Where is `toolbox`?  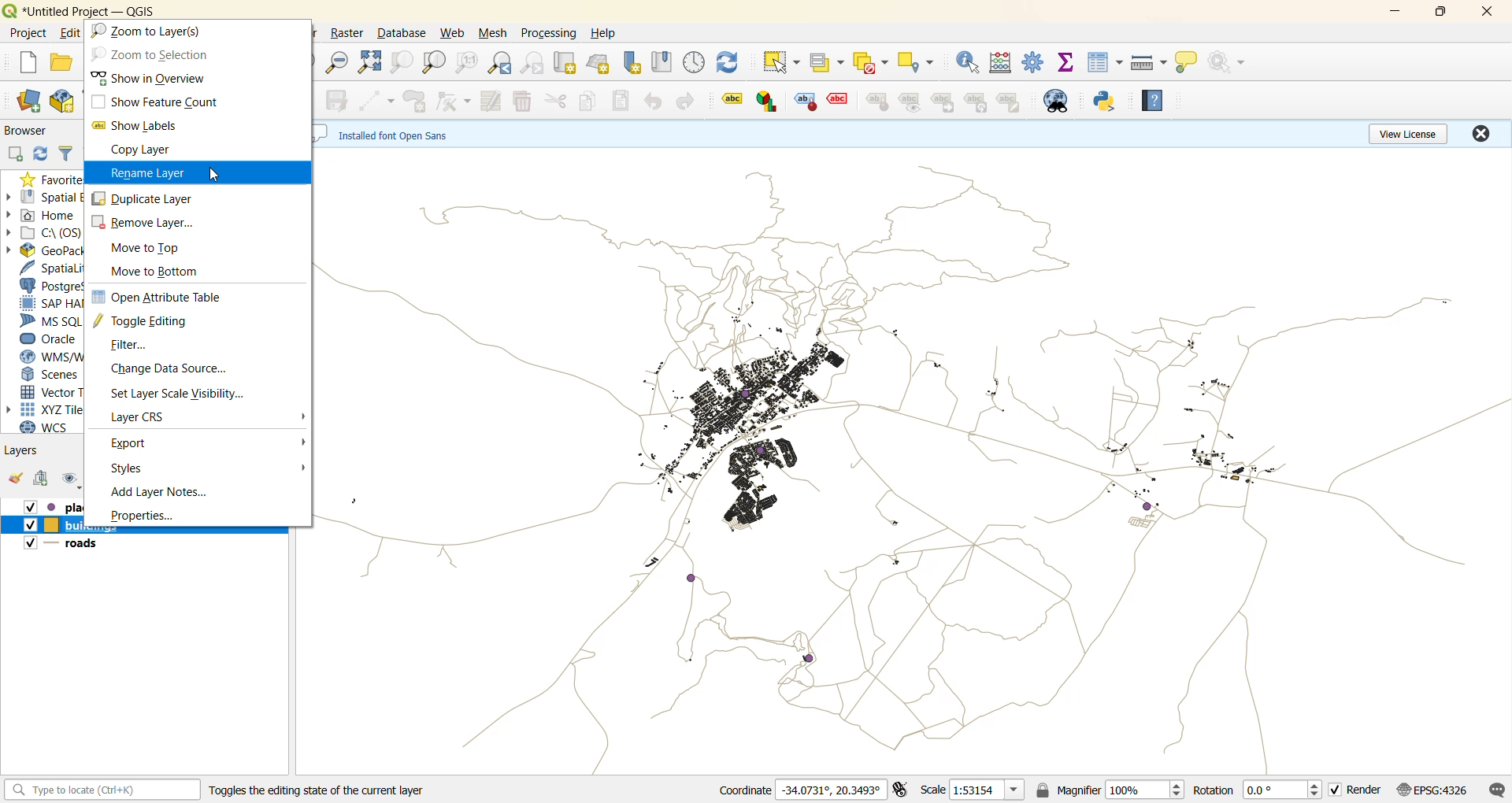
toolbox is located at coordinates (1035, 62).